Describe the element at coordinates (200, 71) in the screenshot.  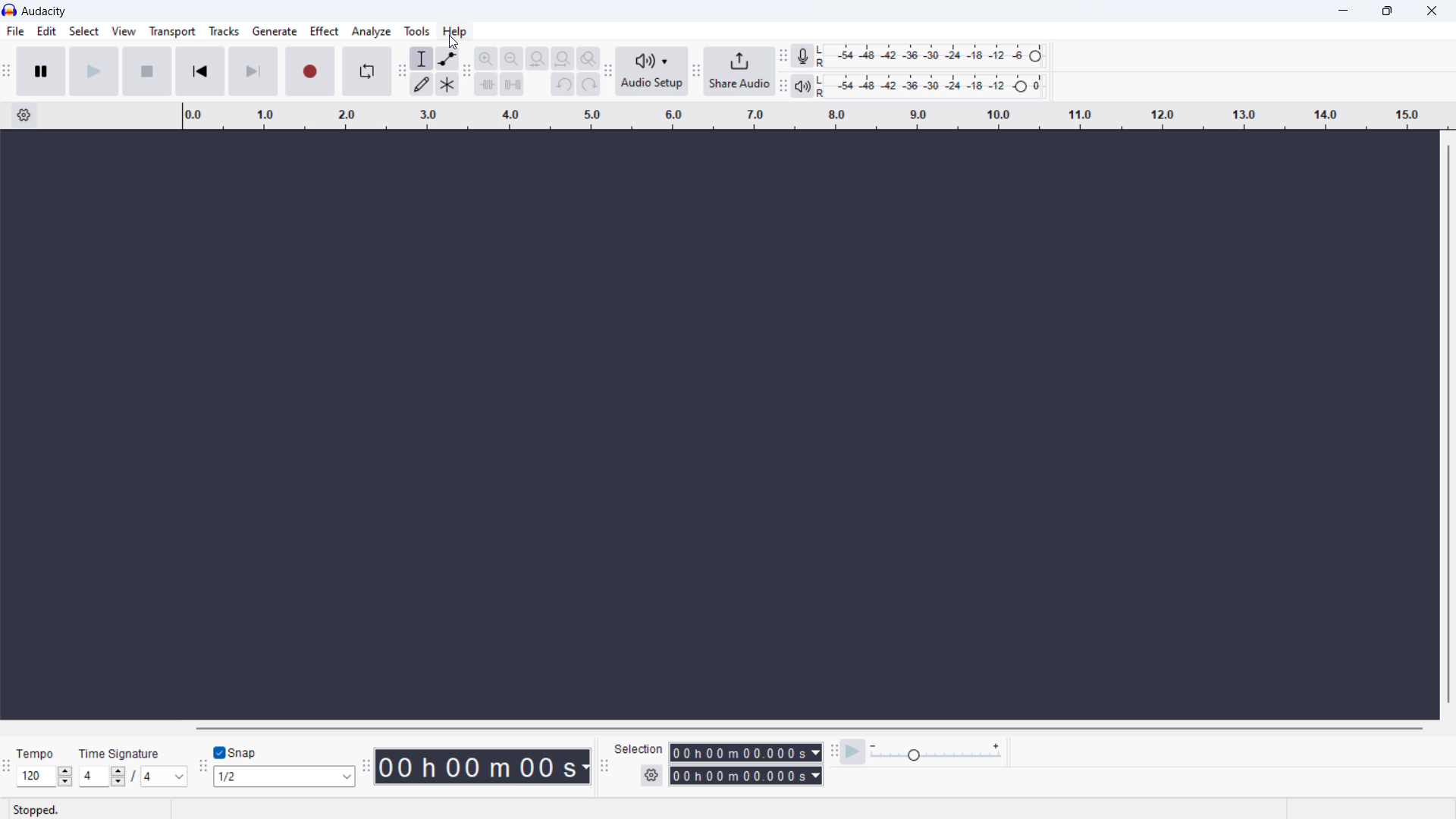
I see `skip to start` at that location.